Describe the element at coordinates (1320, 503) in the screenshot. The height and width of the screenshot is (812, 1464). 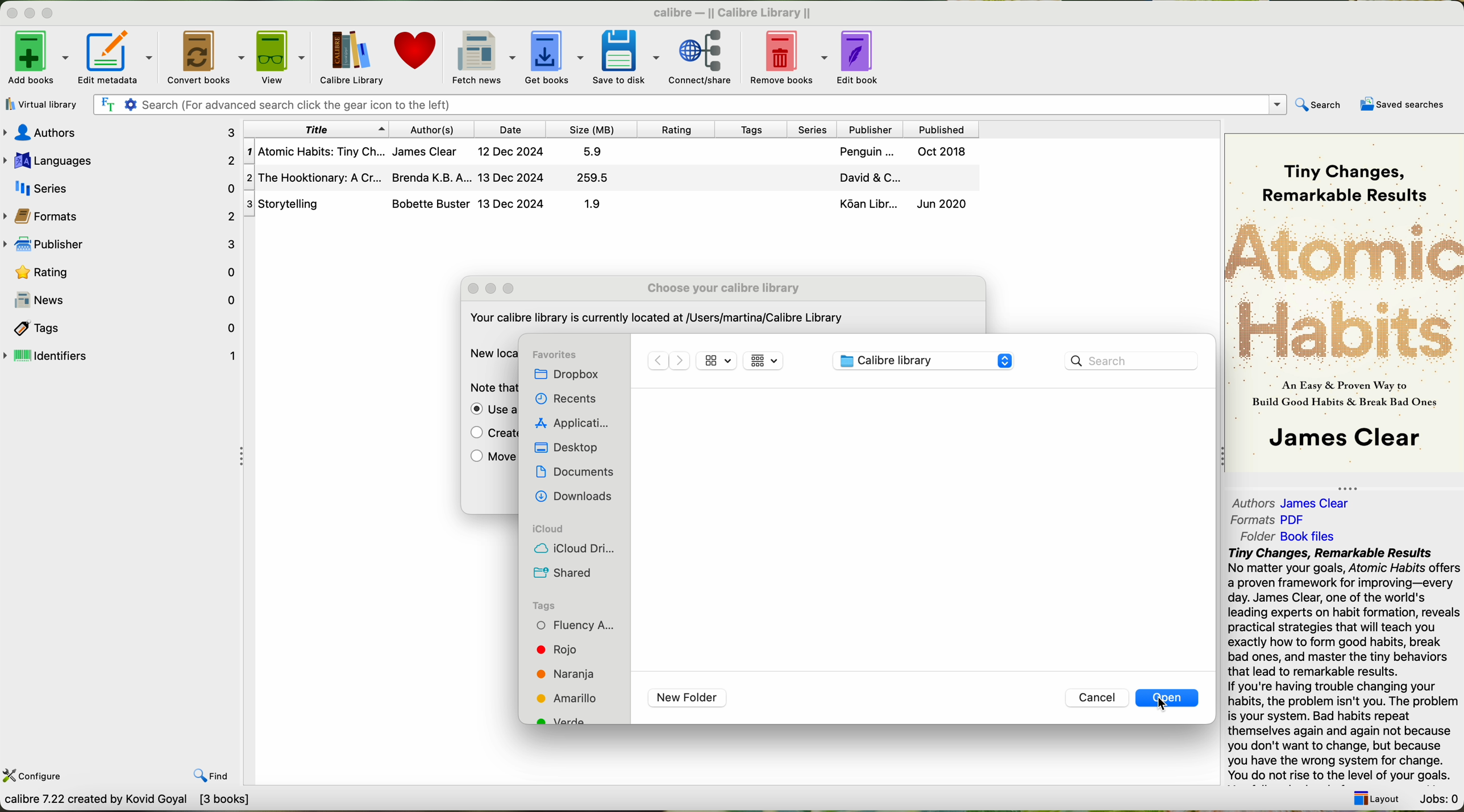
I see `James Clear` at that location.